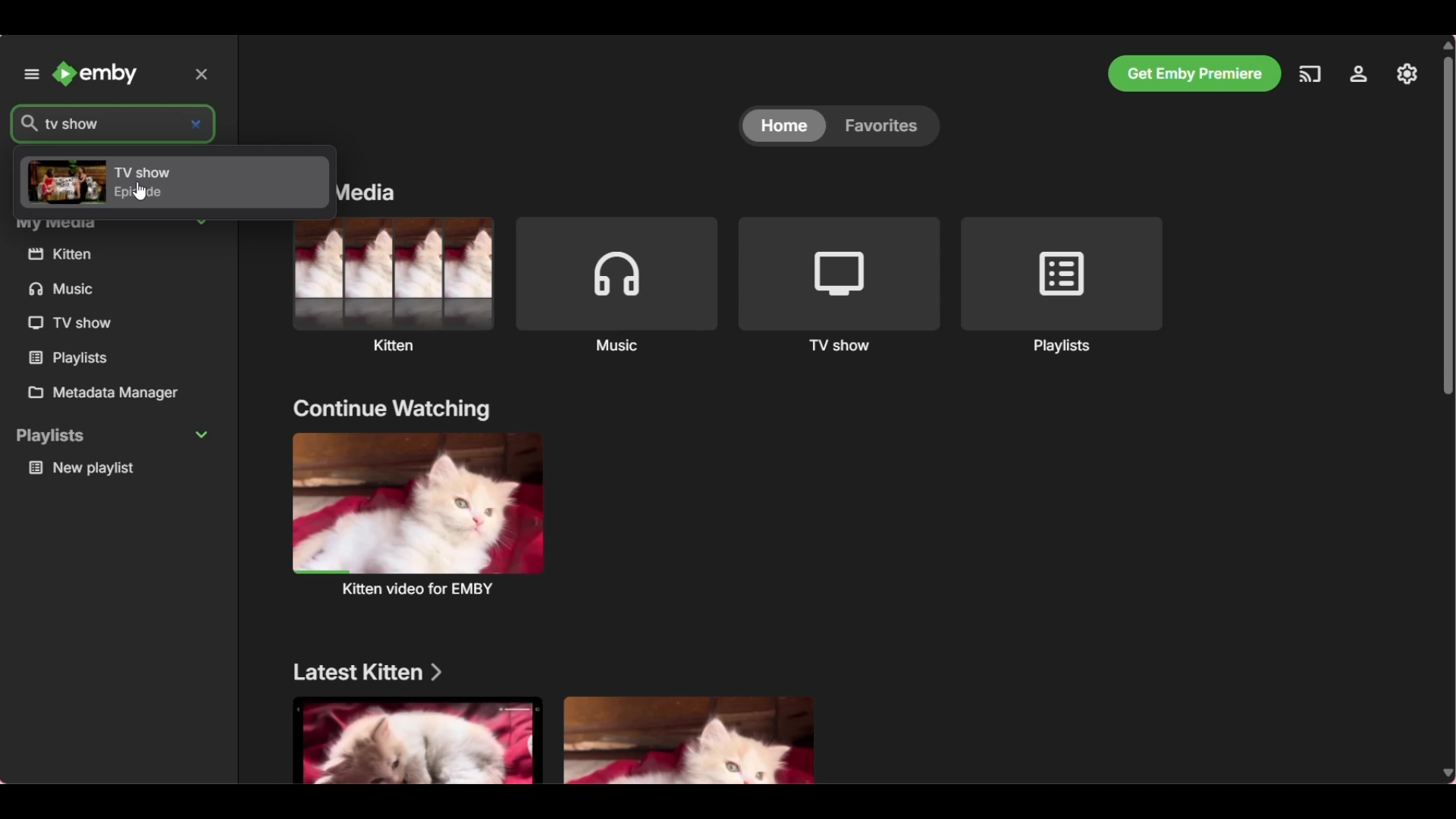 Image resolution: width=1456 pixels, height=819 pixels. I want to click on Kitten , so click(393, 283).